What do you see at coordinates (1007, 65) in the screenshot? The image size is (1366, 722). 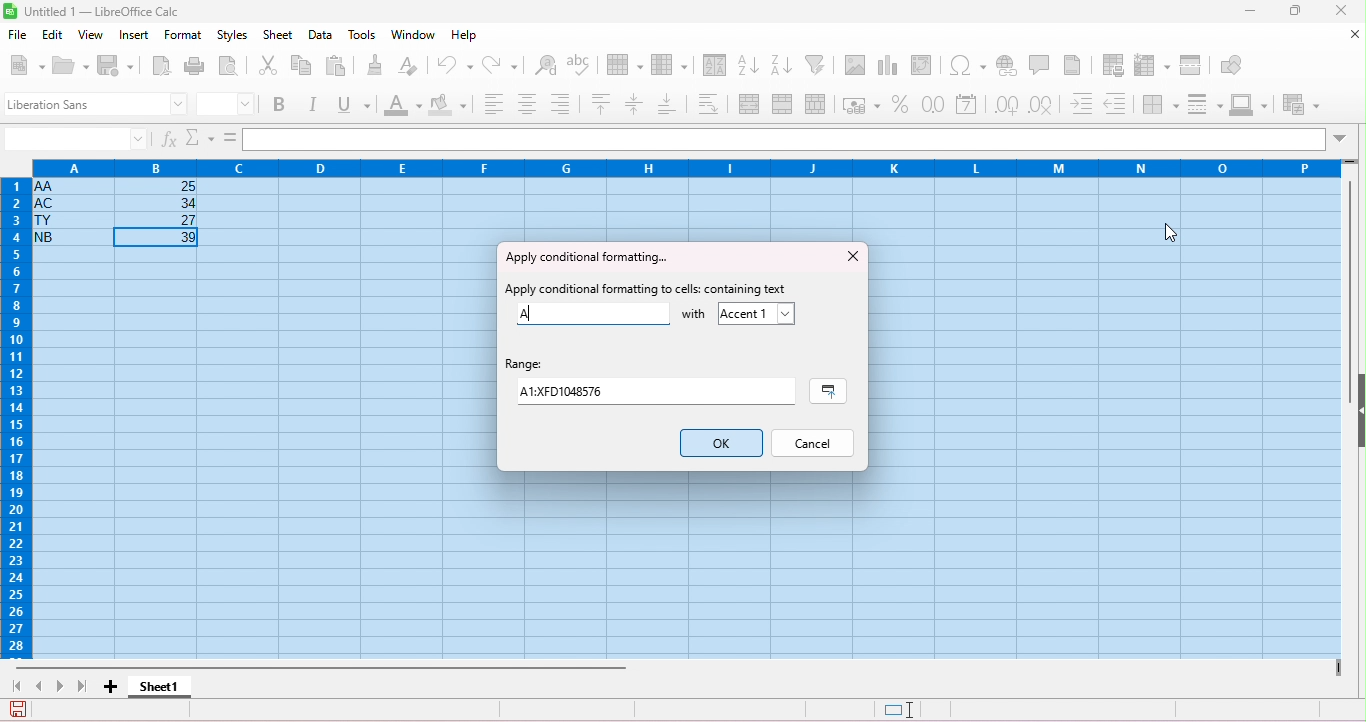 I see `insert hyperlink` at bounding box center [1007, 65].